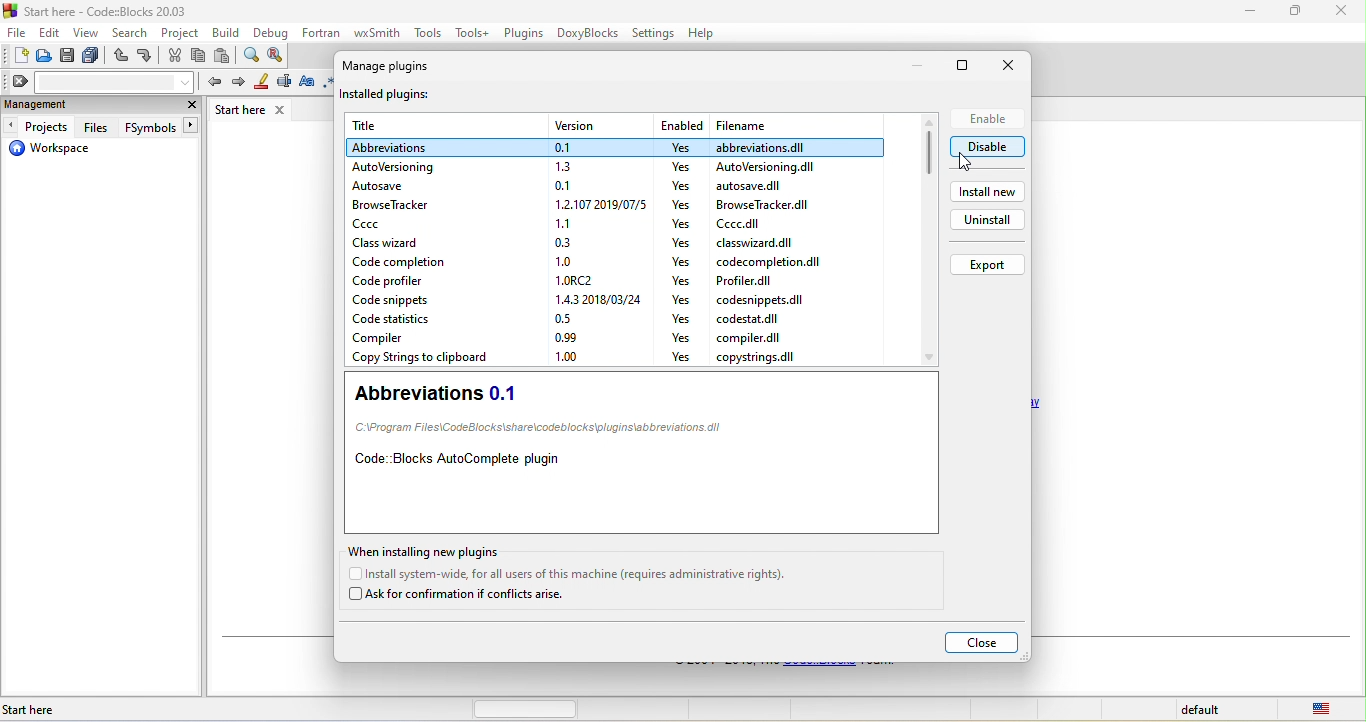  What do you see at coordinates (680, 281) in the screenshot?
I see `yes` at bounding box center [680, 281].